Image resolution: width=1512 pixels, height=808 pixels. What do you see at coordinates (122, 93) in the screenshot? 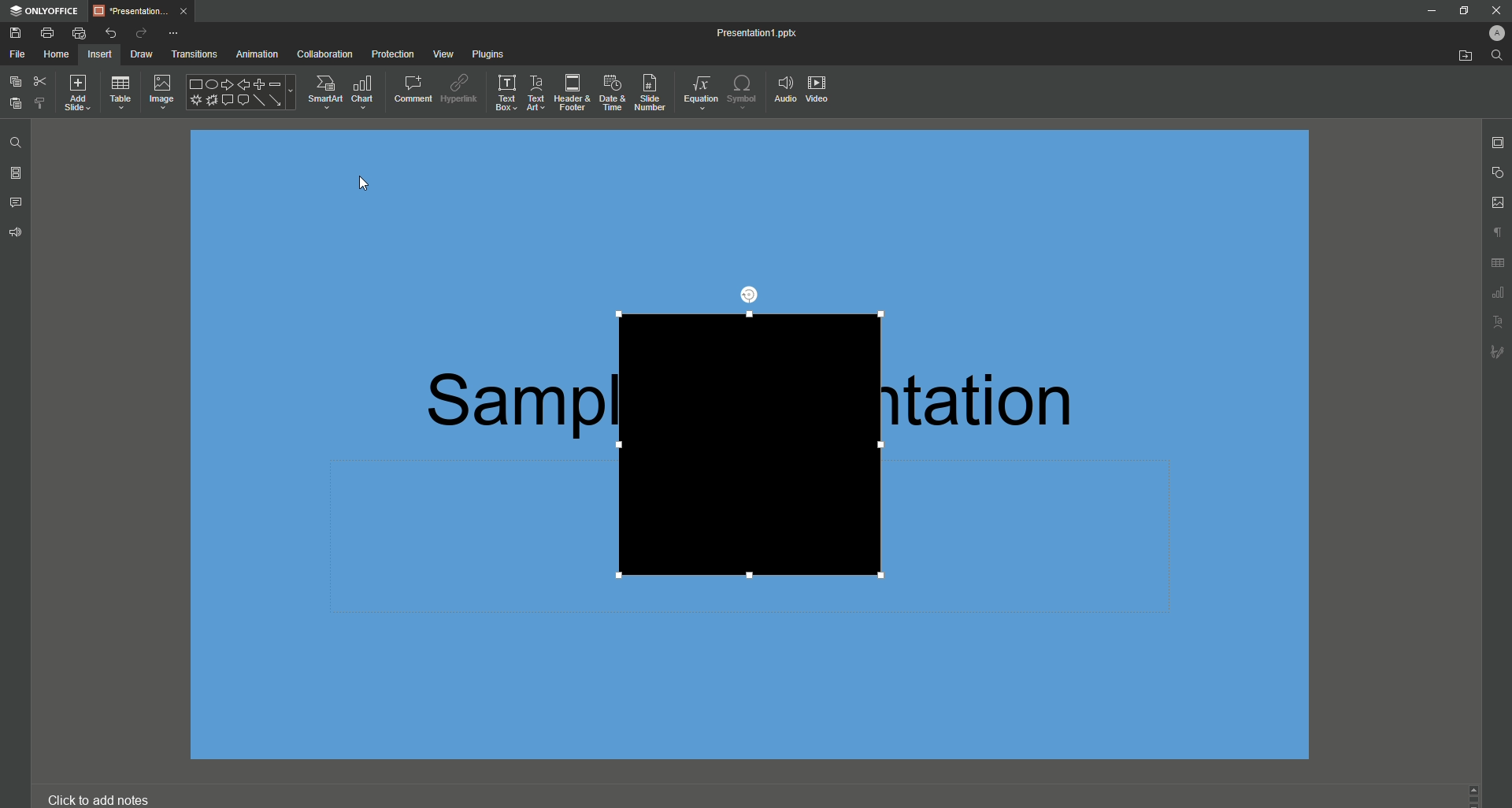
I see `Table` at bounding box center [122, 93].